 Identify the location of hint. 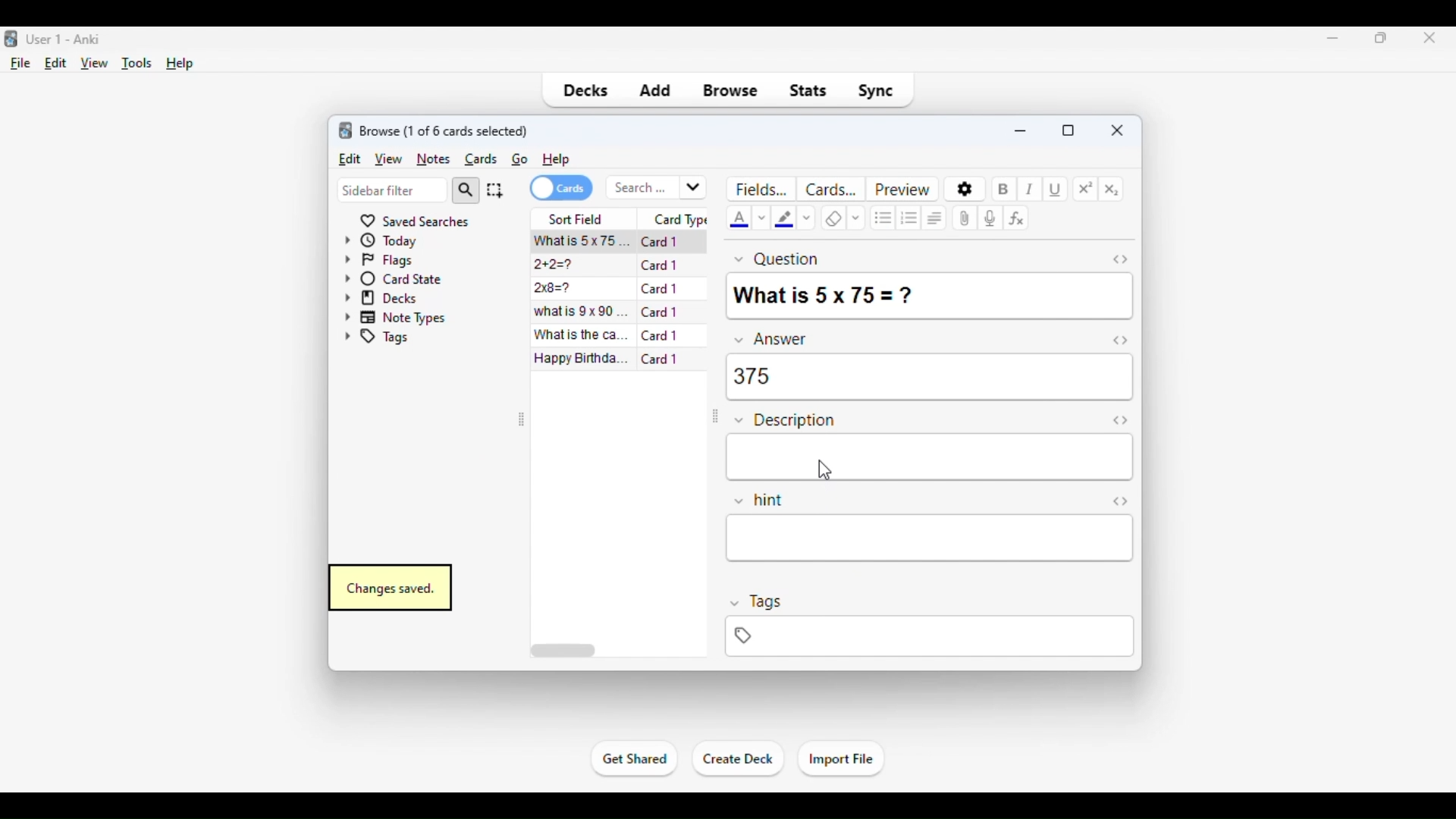
(931, 538).